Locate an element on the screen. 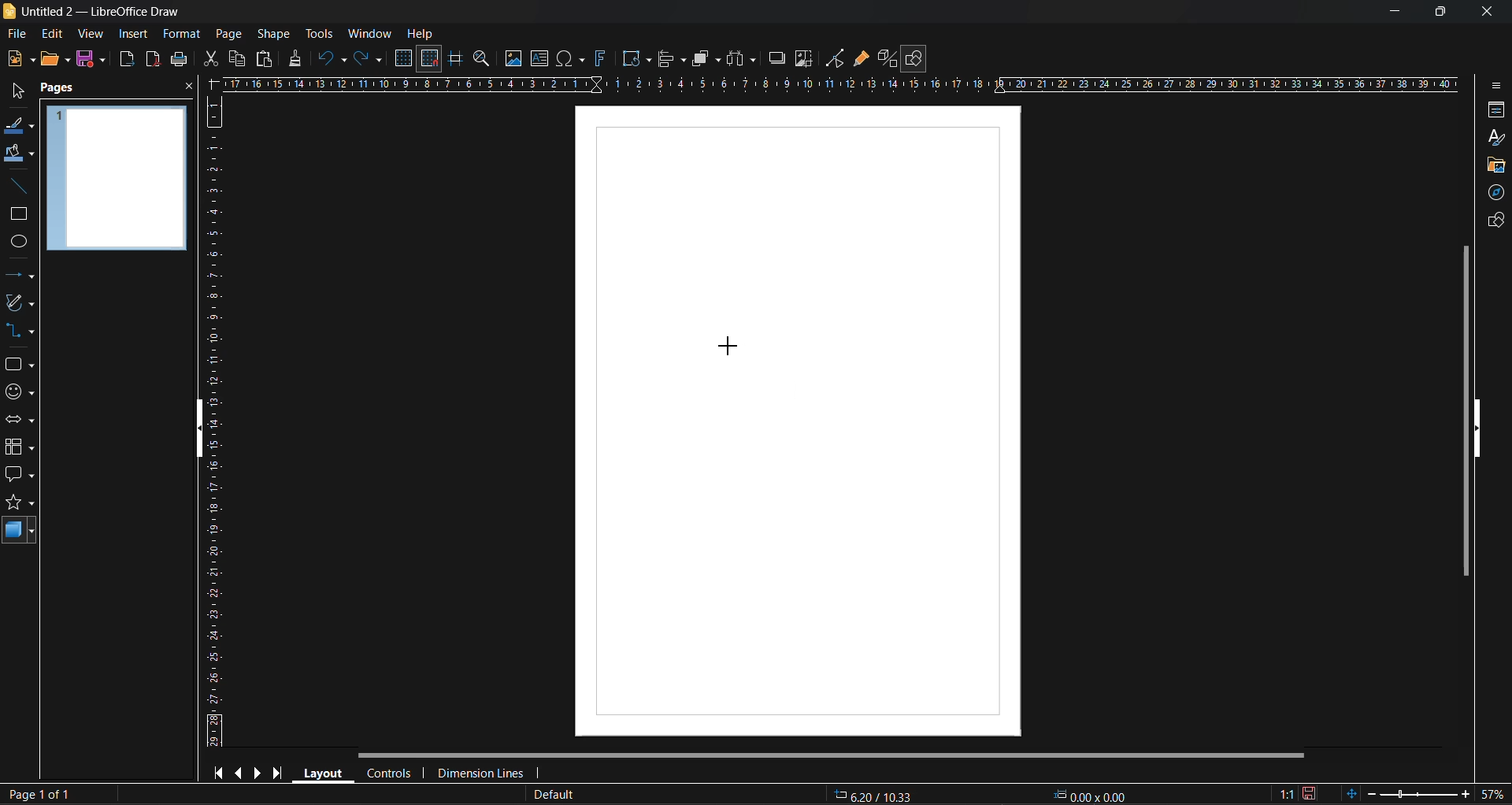  save is located at coordinates (94, 60).